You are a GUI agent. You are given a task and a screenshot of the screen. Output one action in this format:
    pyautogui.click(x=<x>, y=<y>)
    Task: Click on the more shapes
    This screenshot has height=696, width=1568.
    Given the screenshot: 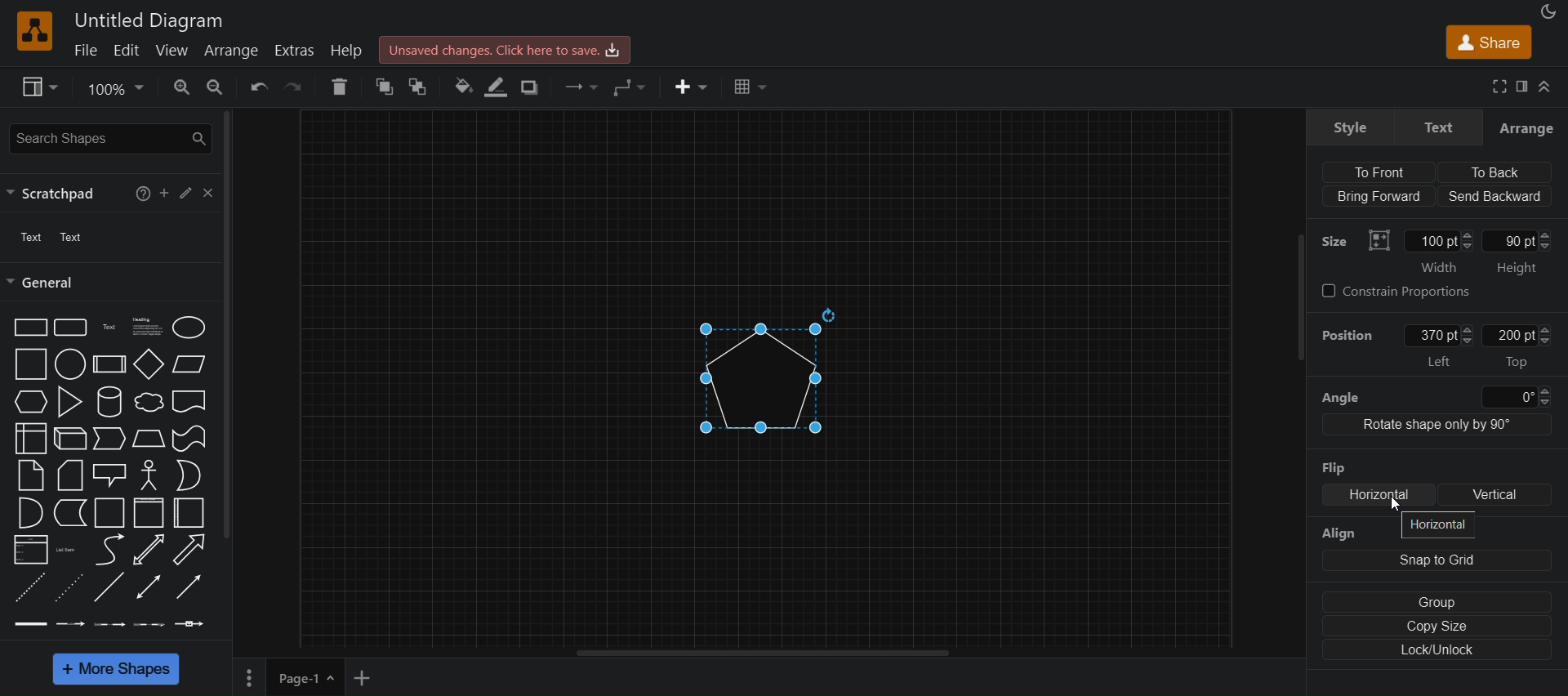 What is the action you would take?
    pyautogui.click(x=116, y=669)
    